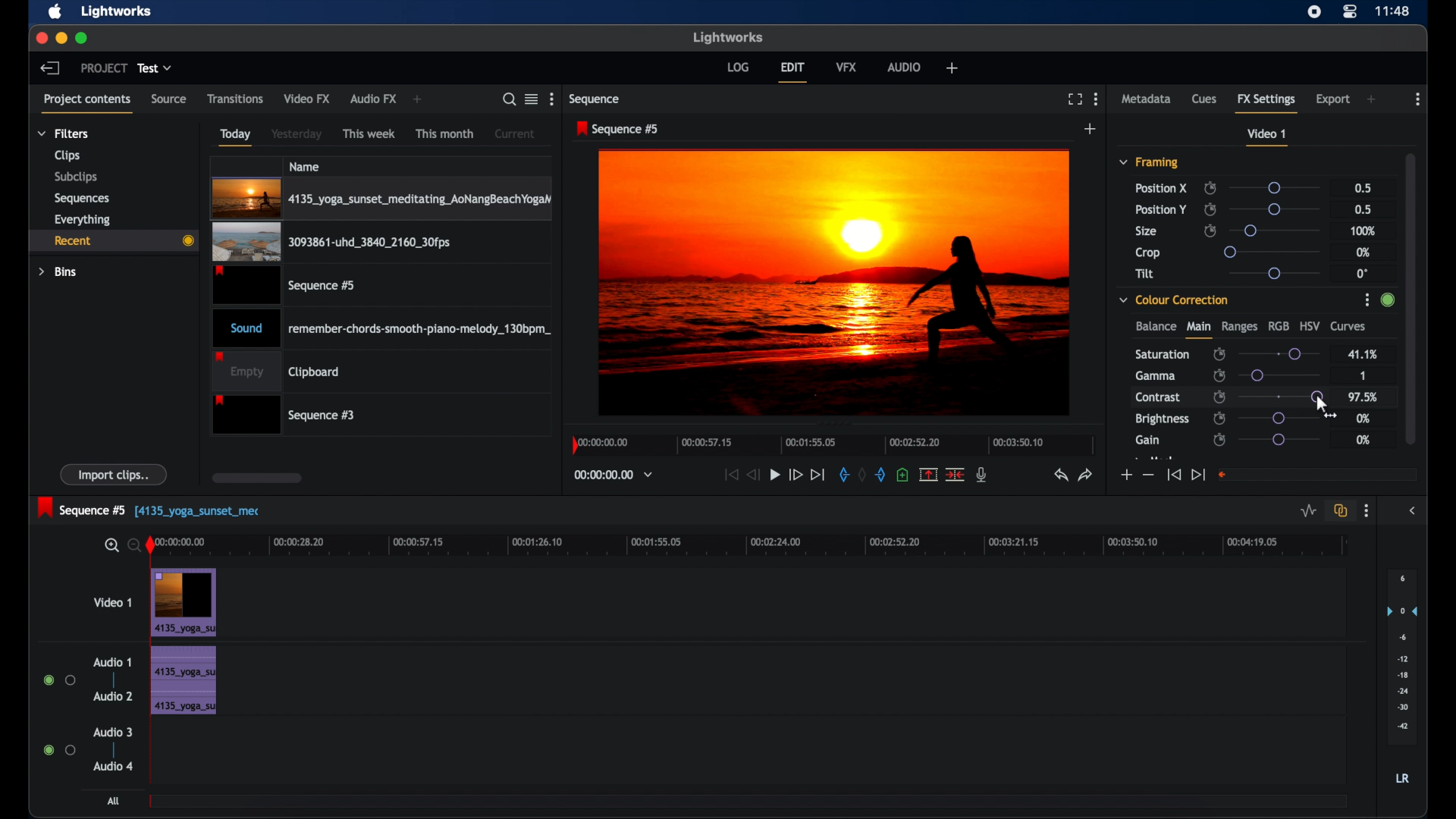 Image resolution: width=1456 pixels, height=819 pixels. What do you see at coordinates (1364, 397) in the screenshot?
I see `97.5%` at bounding box center [1364, 397].